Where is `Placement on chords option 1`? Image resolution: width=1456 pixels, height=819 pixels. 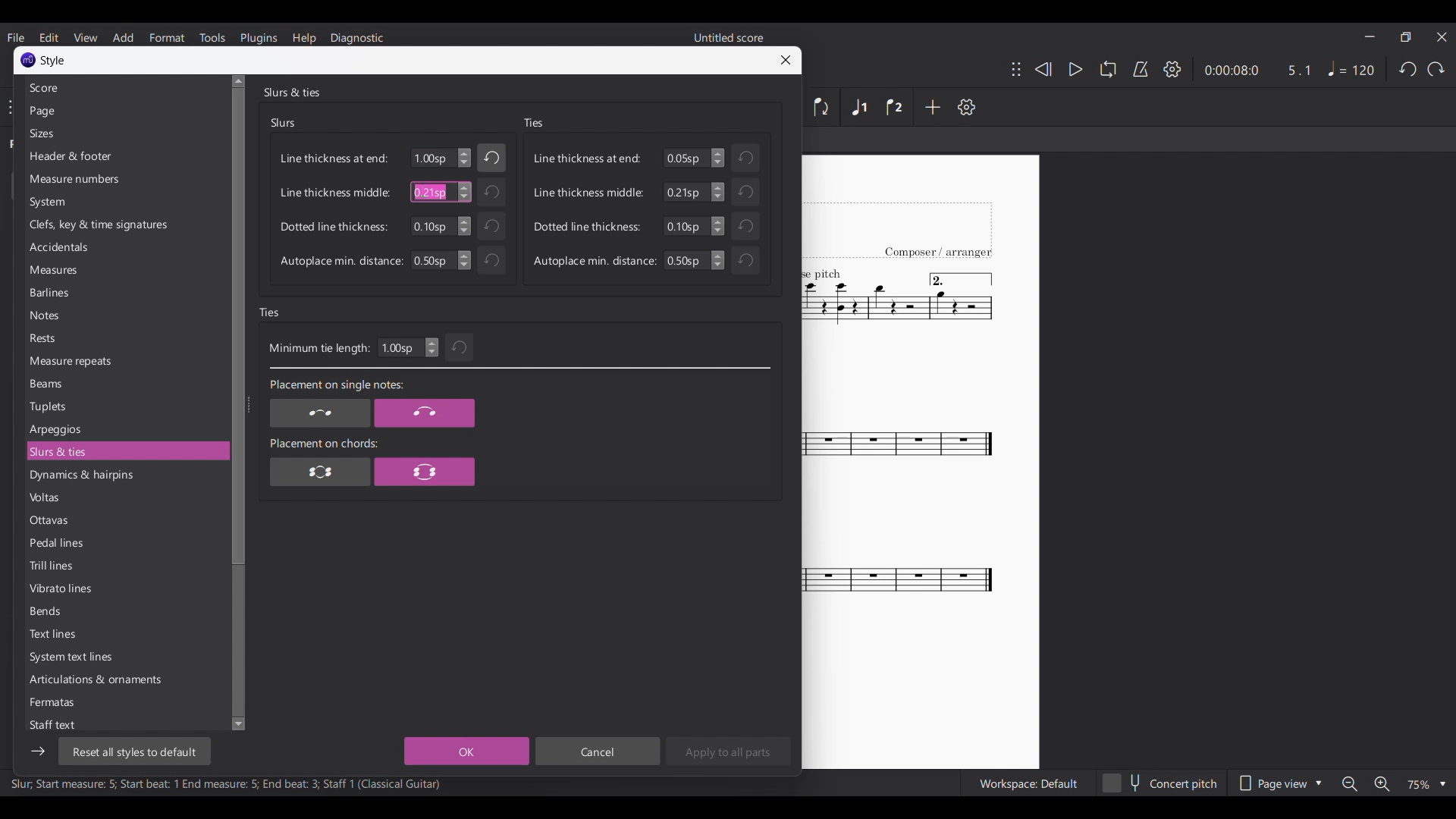 Placement on chords option 1 is located at coordinates (321, 471).